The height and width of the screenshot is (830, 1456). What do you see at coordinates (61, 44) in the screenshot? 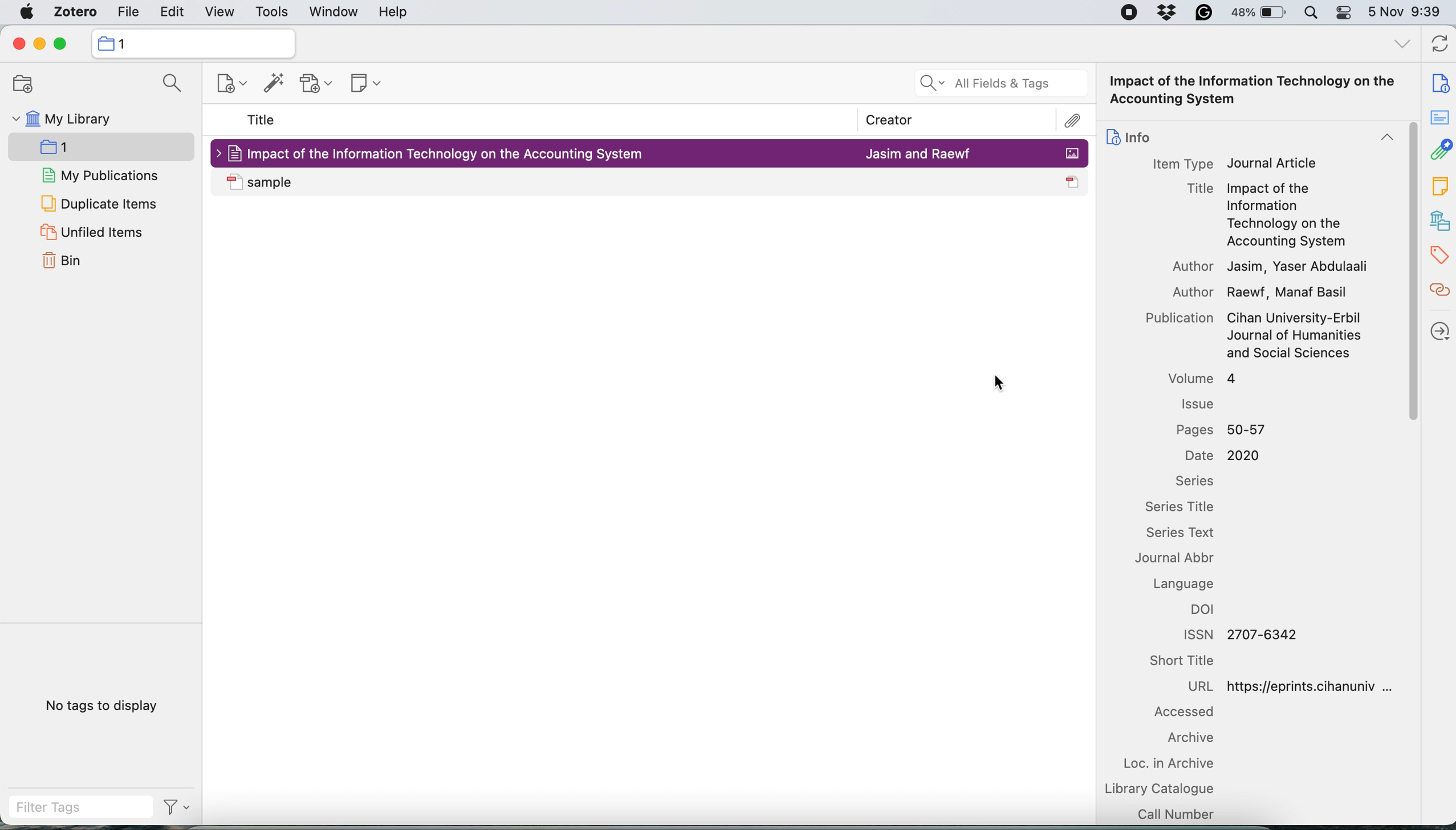
I see `maximise` at bounding box center [61, 44].